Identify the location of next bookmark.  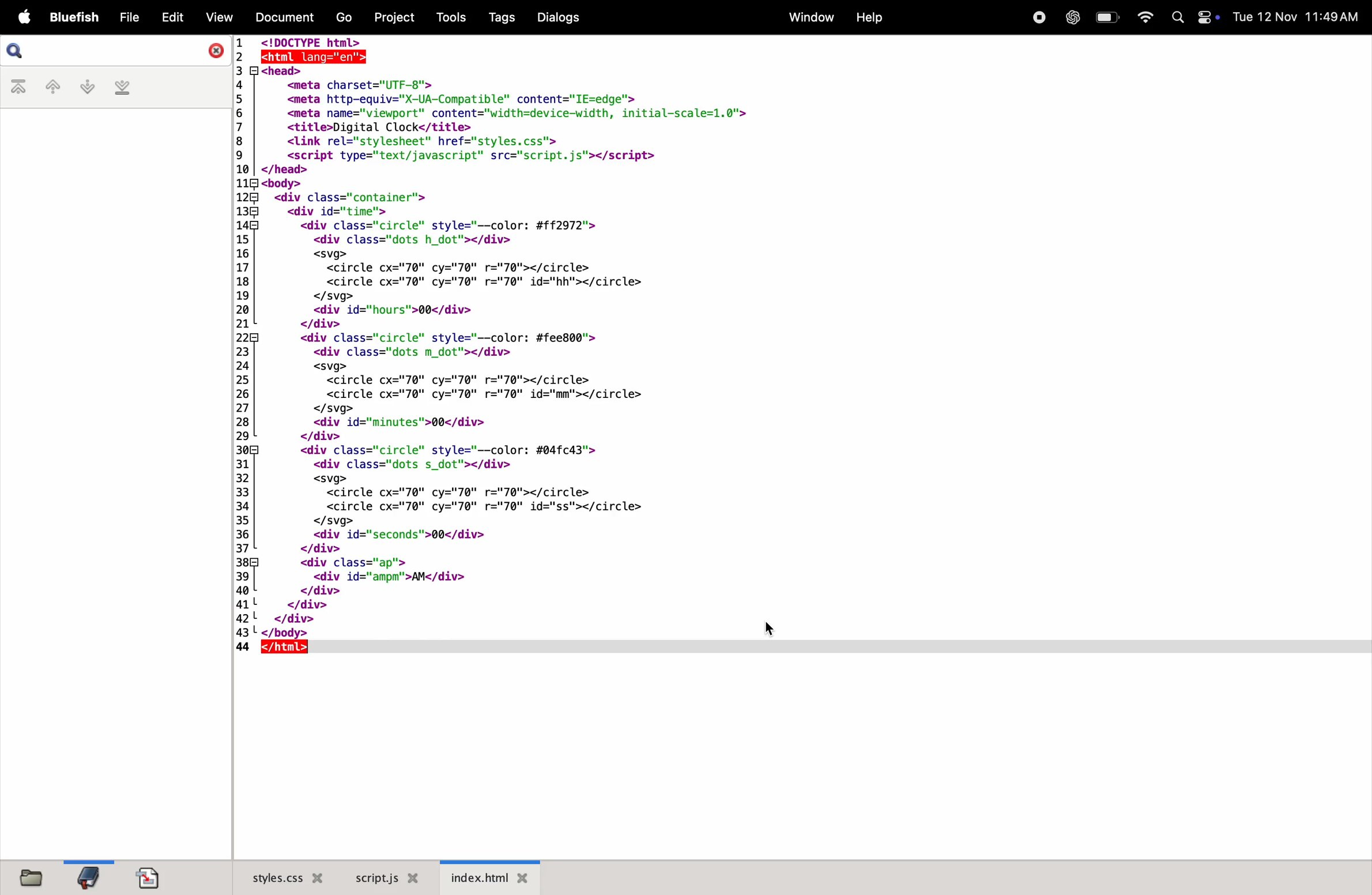
(85, 86).